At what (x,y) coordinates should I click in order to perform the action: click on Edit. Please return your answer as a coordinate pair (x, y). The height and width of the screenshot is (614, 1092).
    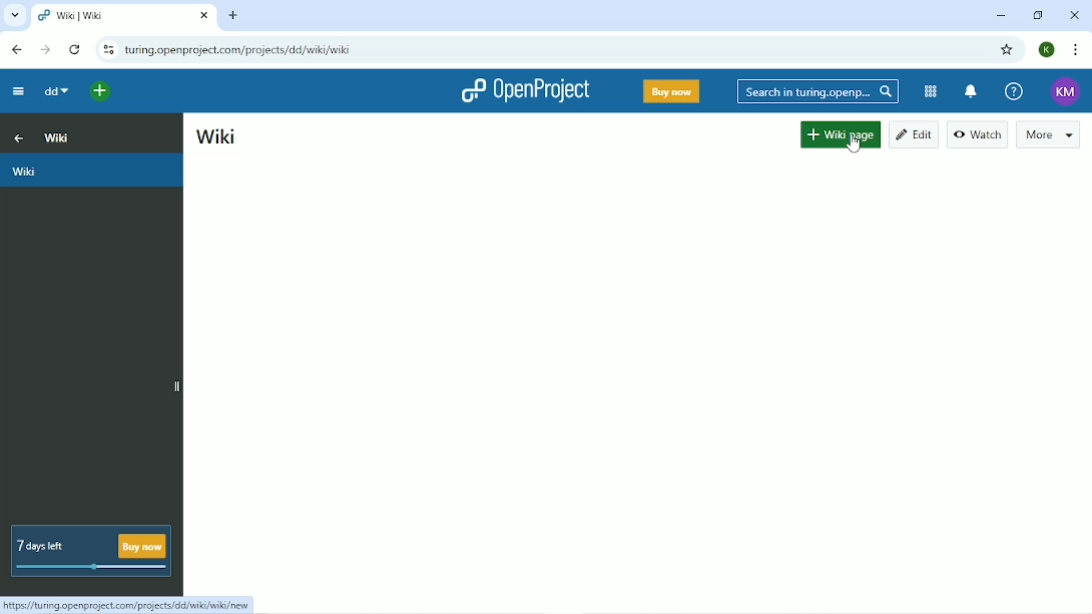
    Looking at the image, I should click on (914, 135).